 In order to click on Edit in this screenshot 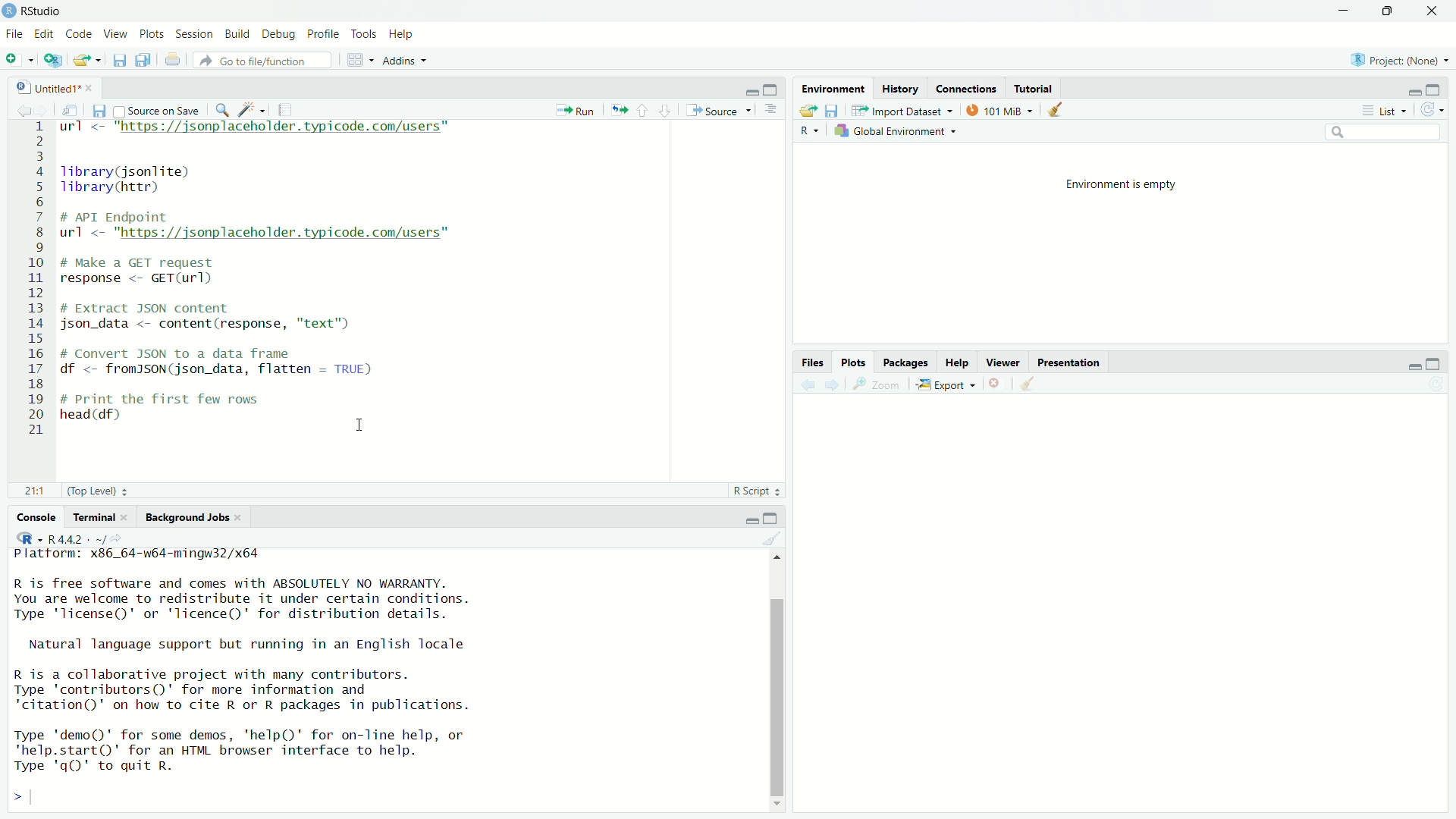, I will do `click(43, 35)`.